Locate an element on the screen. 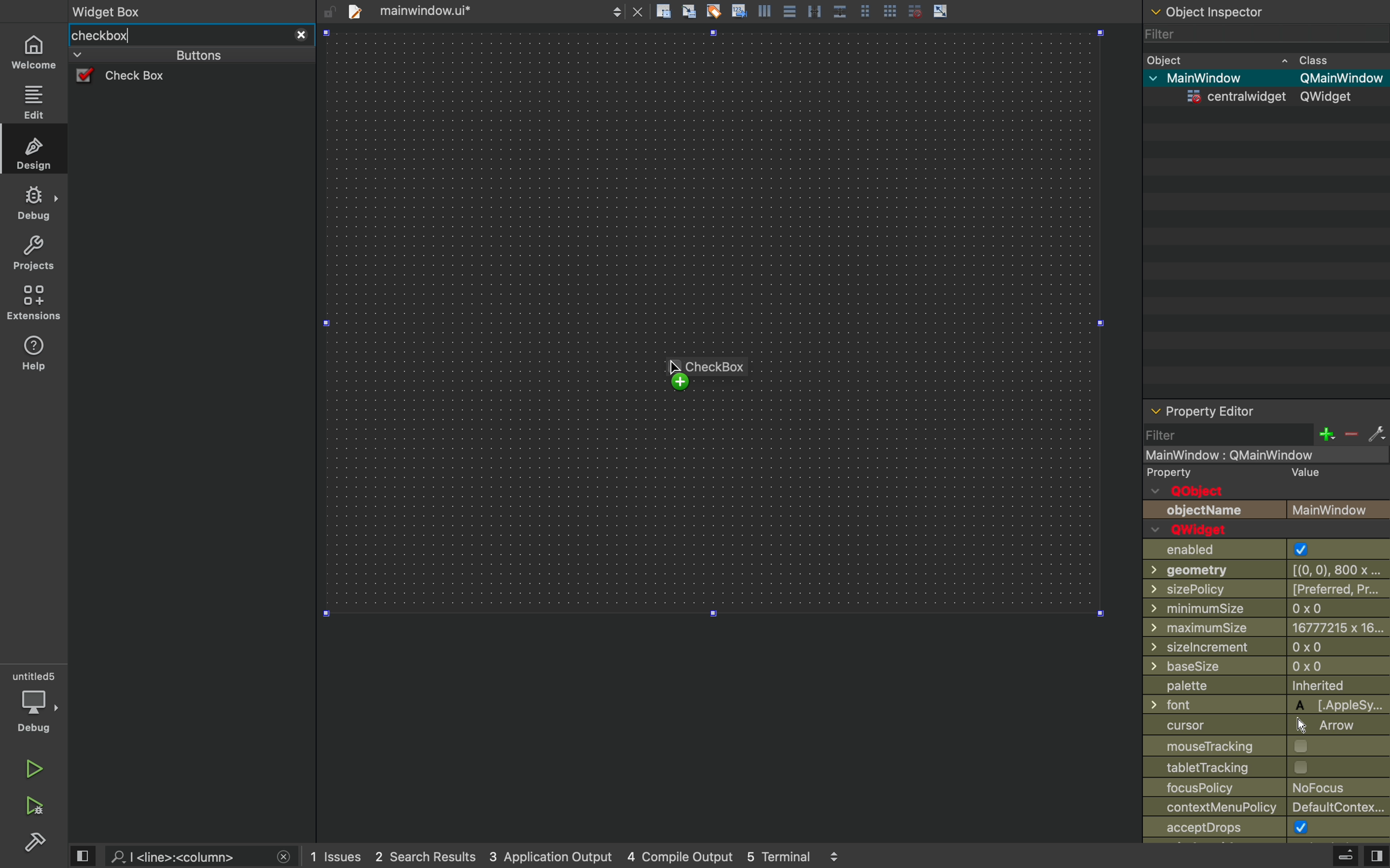  insert text is located at coordinates (738, 10).